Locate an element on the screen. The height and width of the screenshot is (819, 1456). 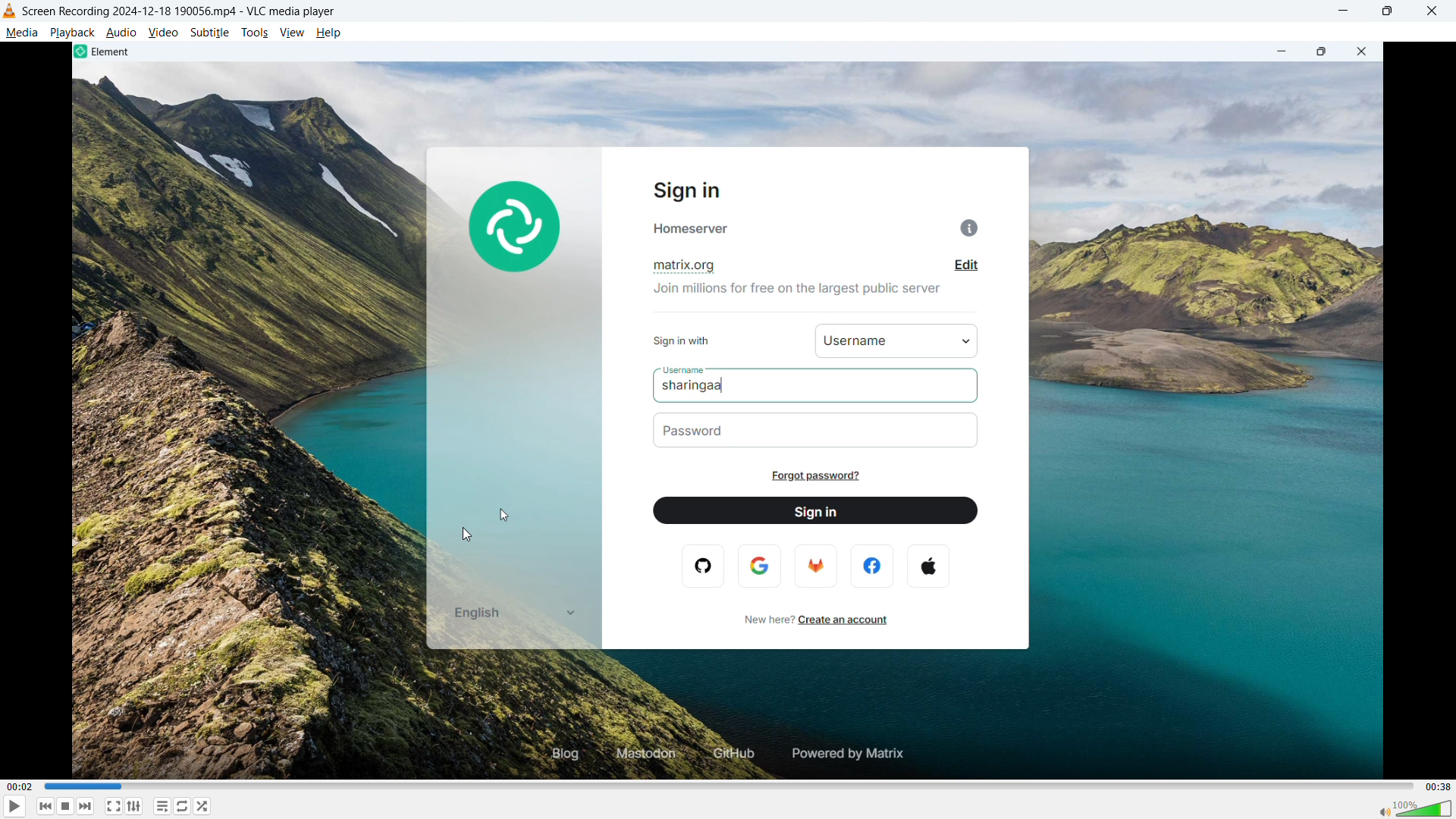
sharingaa is located at coordinates (714, 386).